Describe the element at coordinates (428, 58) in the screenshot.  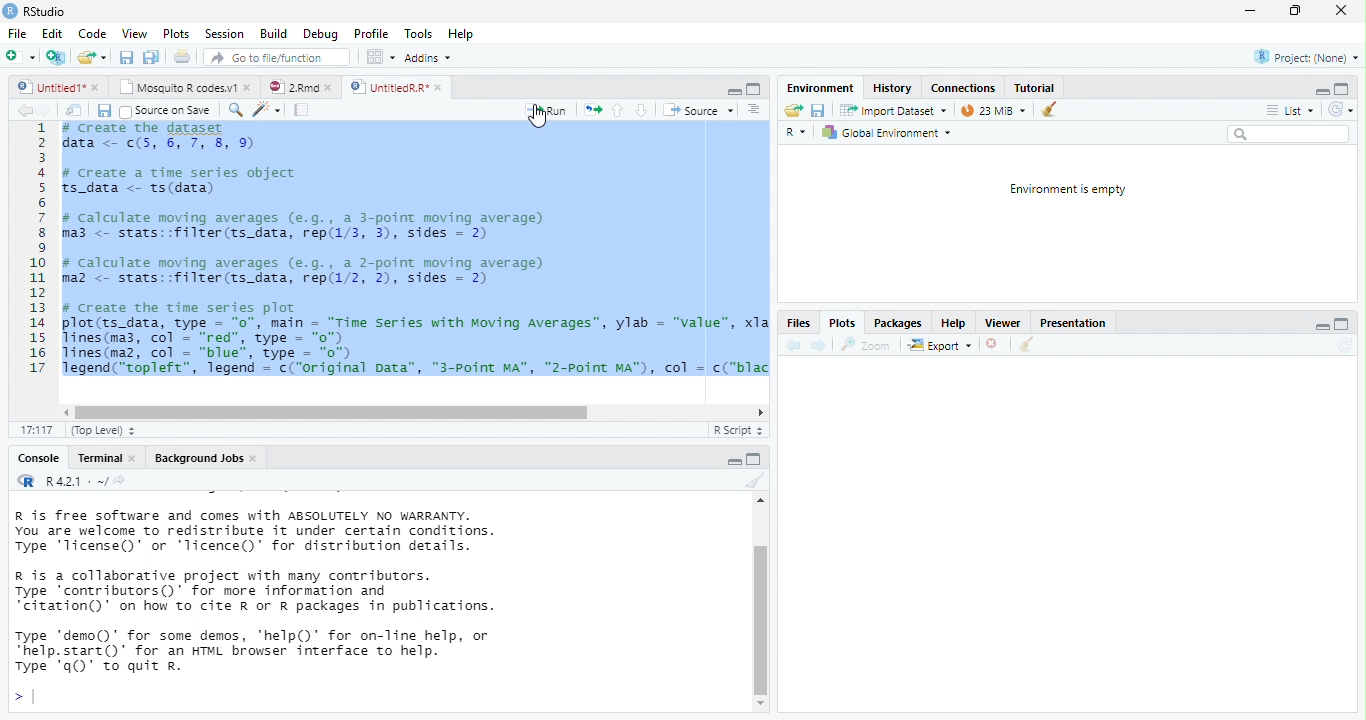
I see `Addins` at that location.